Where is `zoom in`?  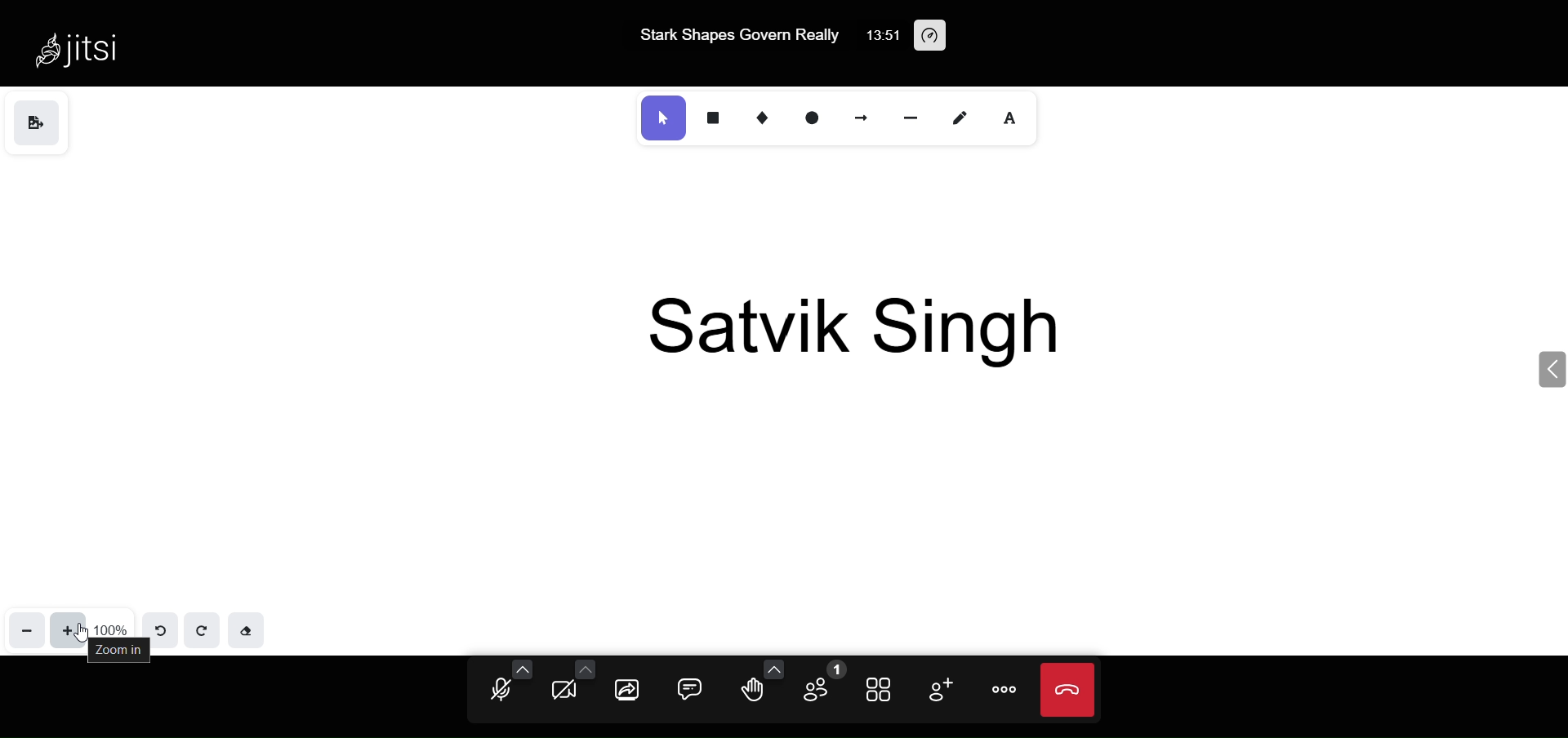 zoom in is located at coordinates (116, 652).